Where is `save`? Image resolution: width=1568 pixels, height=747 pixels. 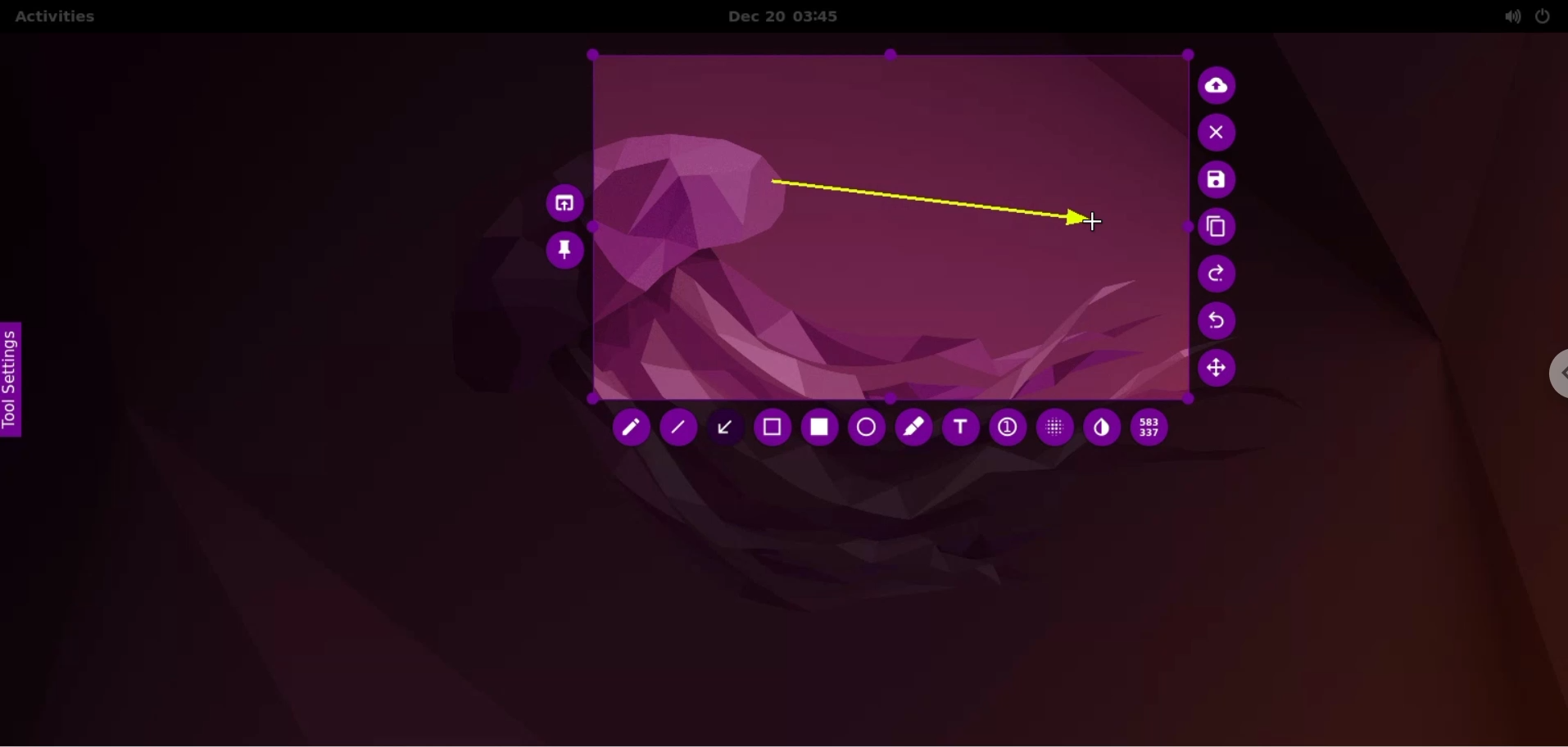
save is located at coordinates (1217, 181).